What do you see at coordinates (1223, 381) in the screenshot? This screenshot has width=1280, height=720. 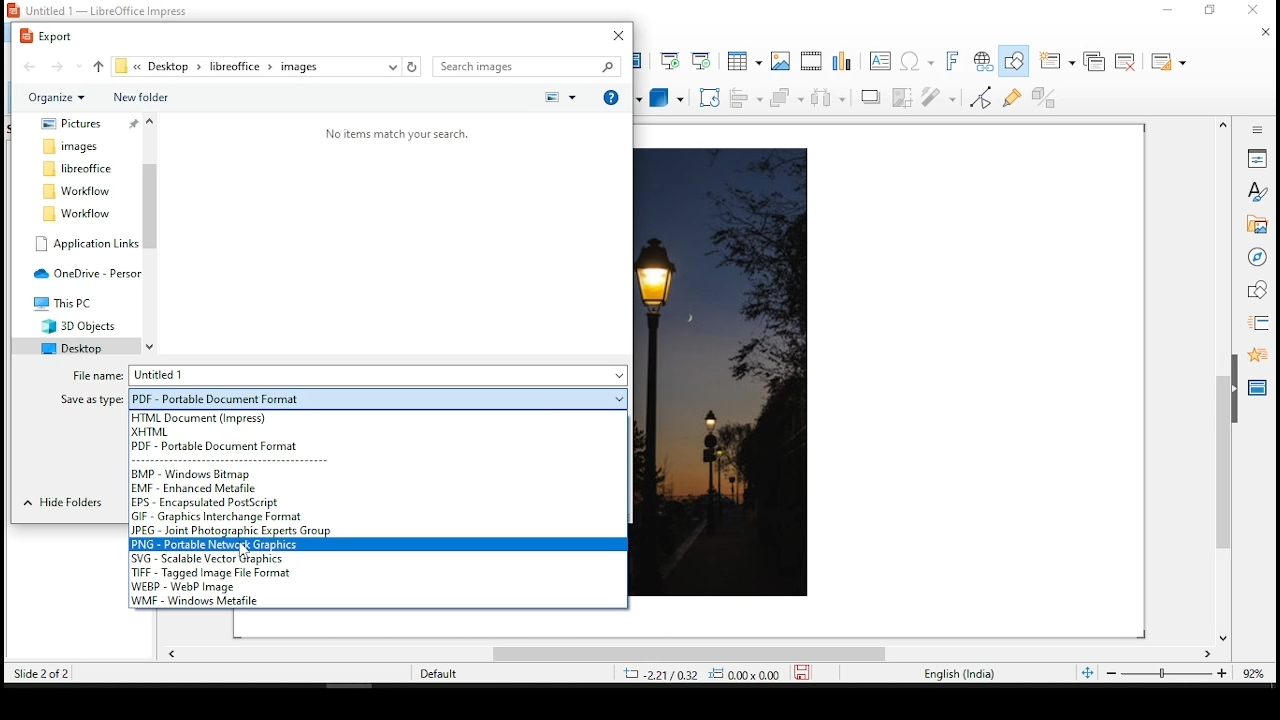 I see `scroll bar` at bounding box center [1223, 381].